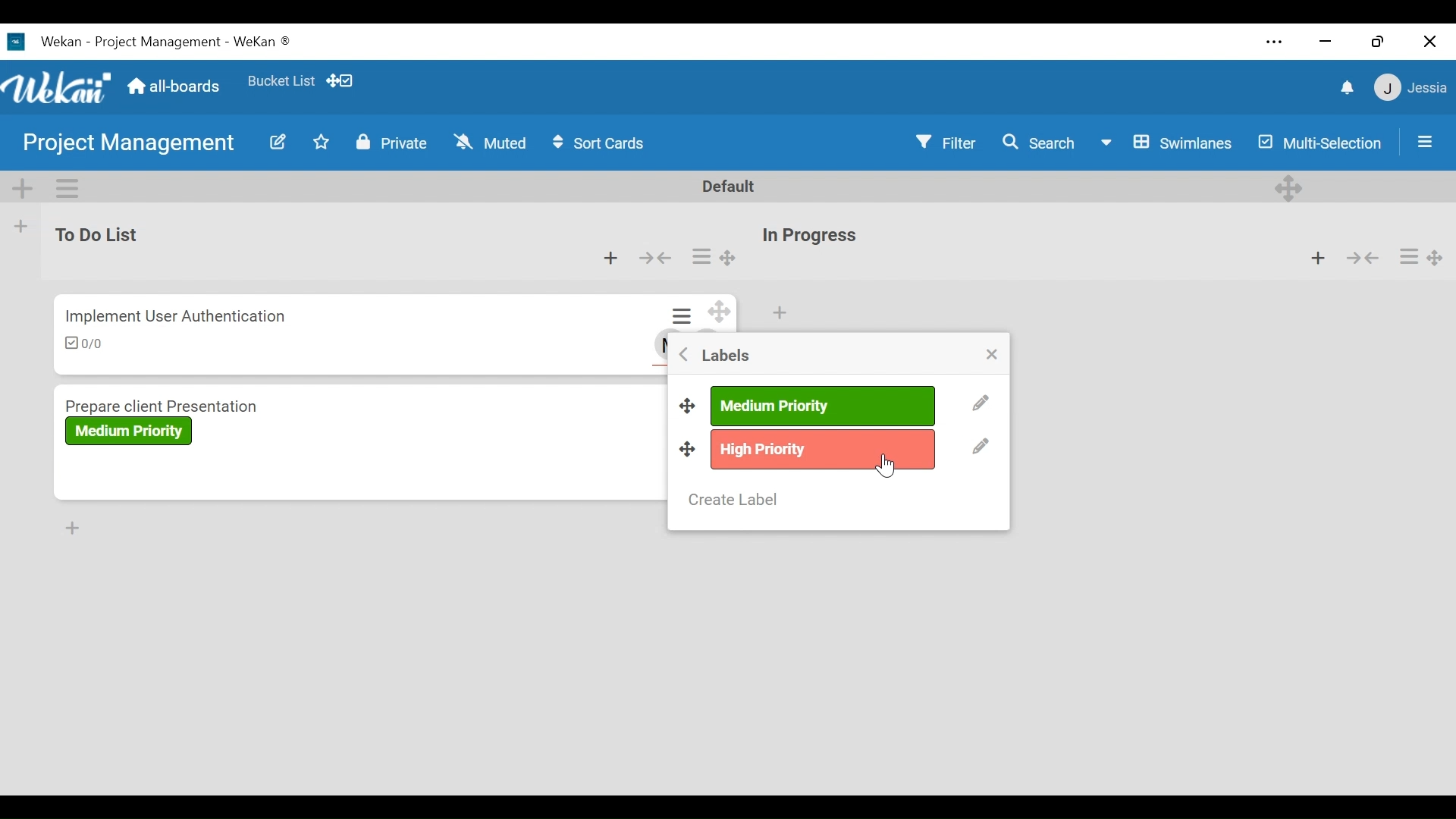 The height and width of the screenshot is (819, 1456). What do you see at coordinates (990, 355) in the screenshot?
I see `Close` at bounding box center [990, 355].